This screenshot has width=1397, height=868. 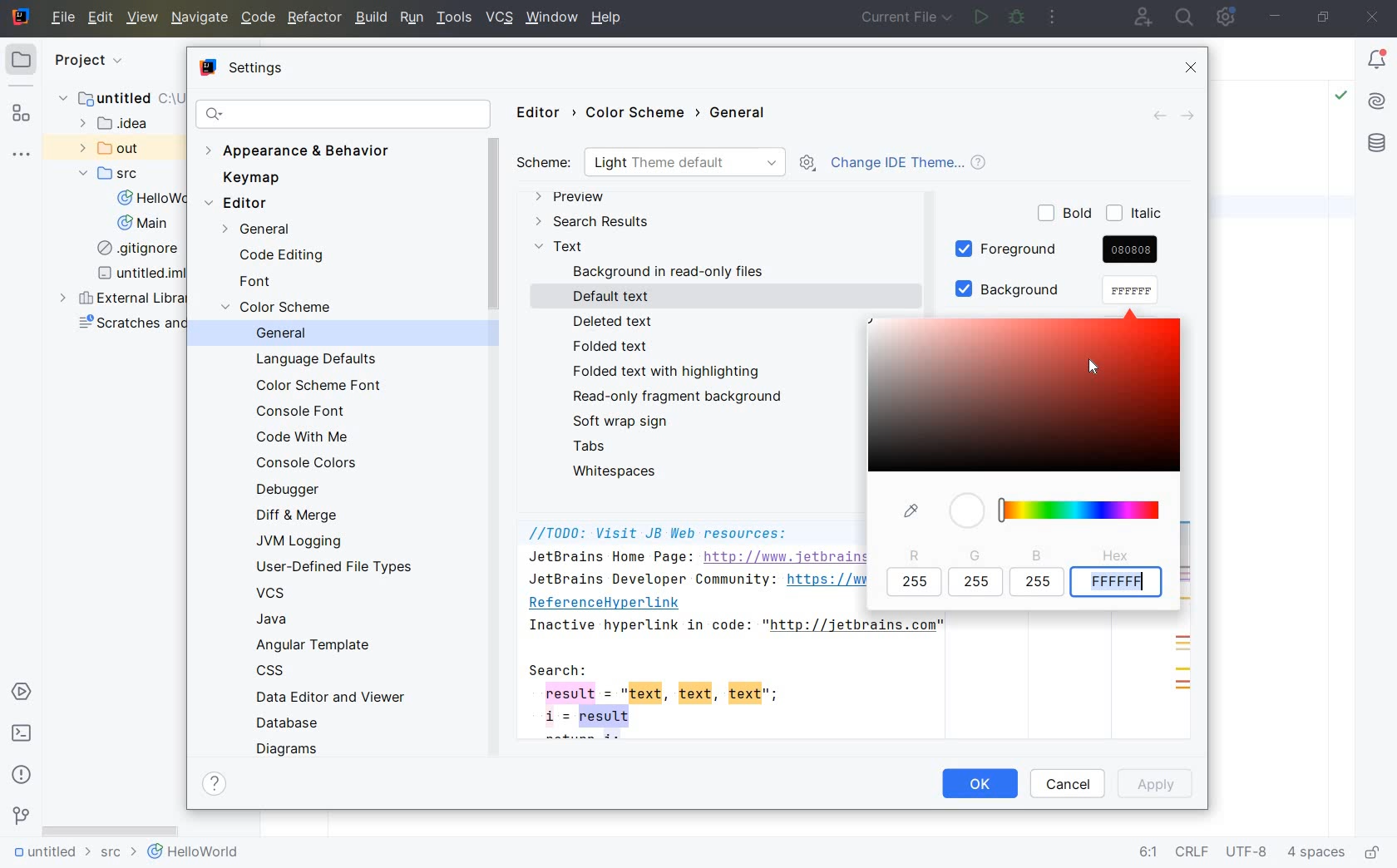 What do you see at coordinates (111, 827) in the screenshot?
I see `scrollbar` at bounding box center [111, 827].